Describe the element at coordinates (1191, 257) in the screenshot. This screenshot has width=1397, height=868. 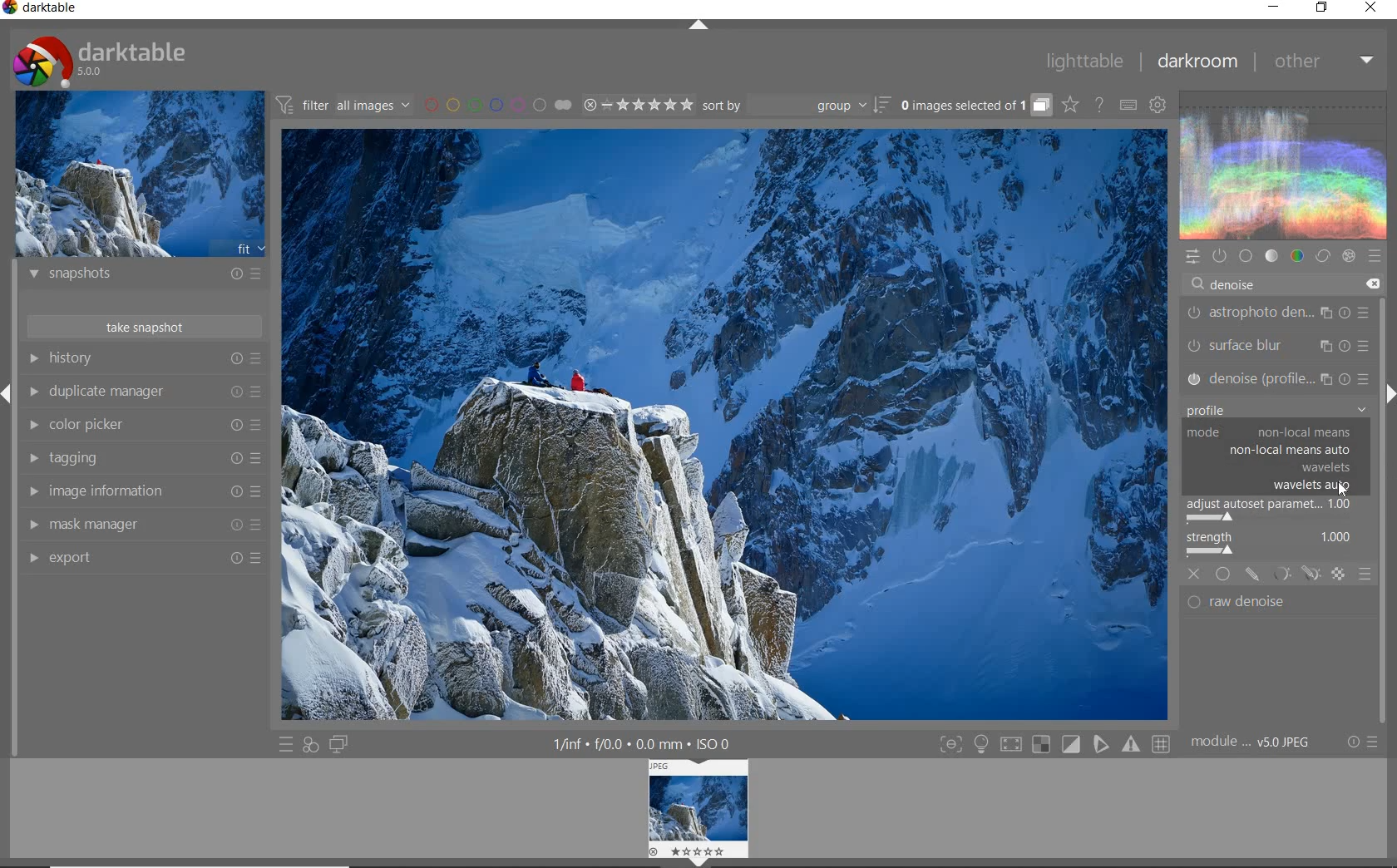
I see `quick access panel` at that location.